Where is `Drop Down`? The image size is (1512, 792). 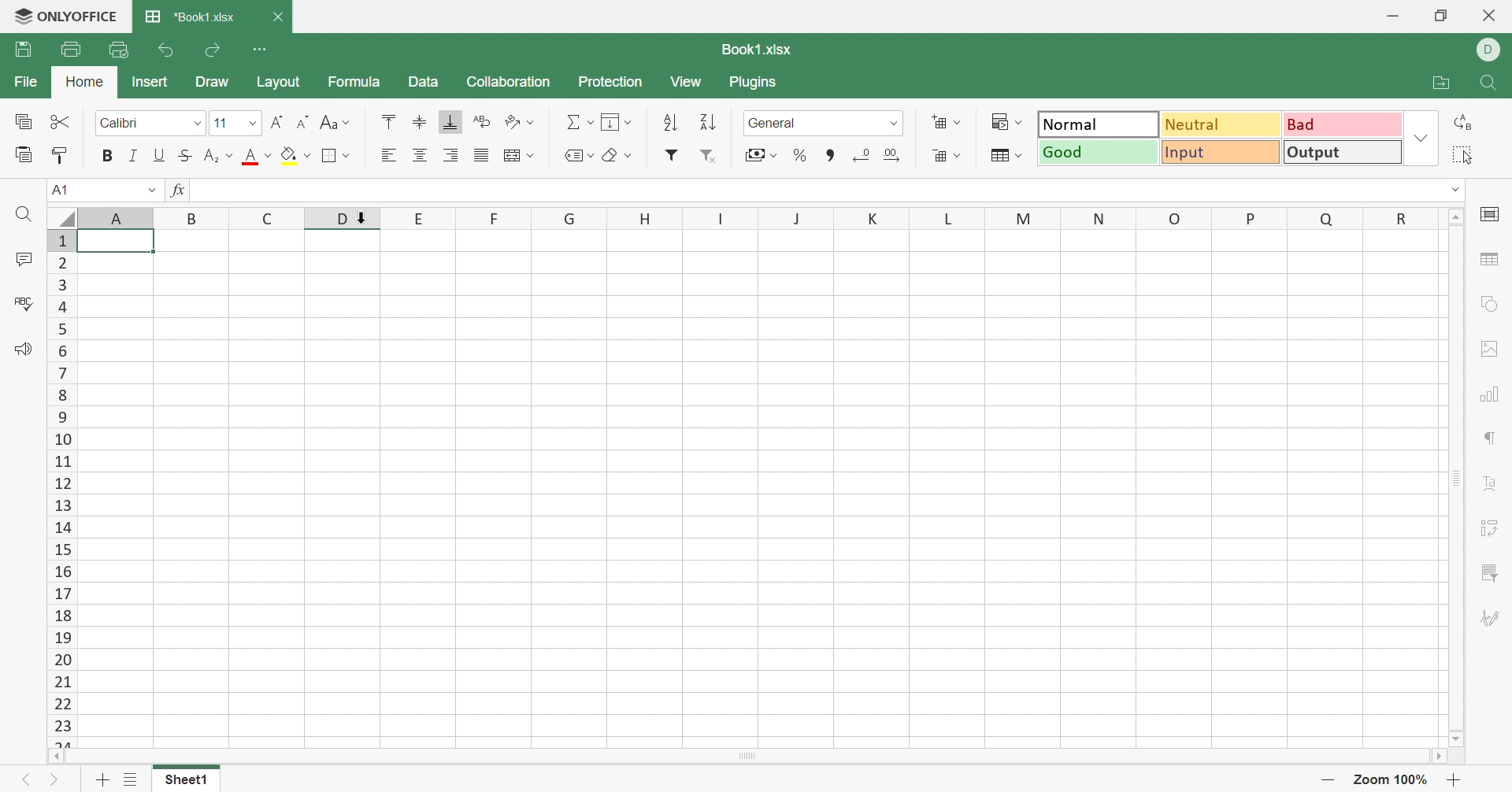 Drop Down is located at coordinates (151, 188).